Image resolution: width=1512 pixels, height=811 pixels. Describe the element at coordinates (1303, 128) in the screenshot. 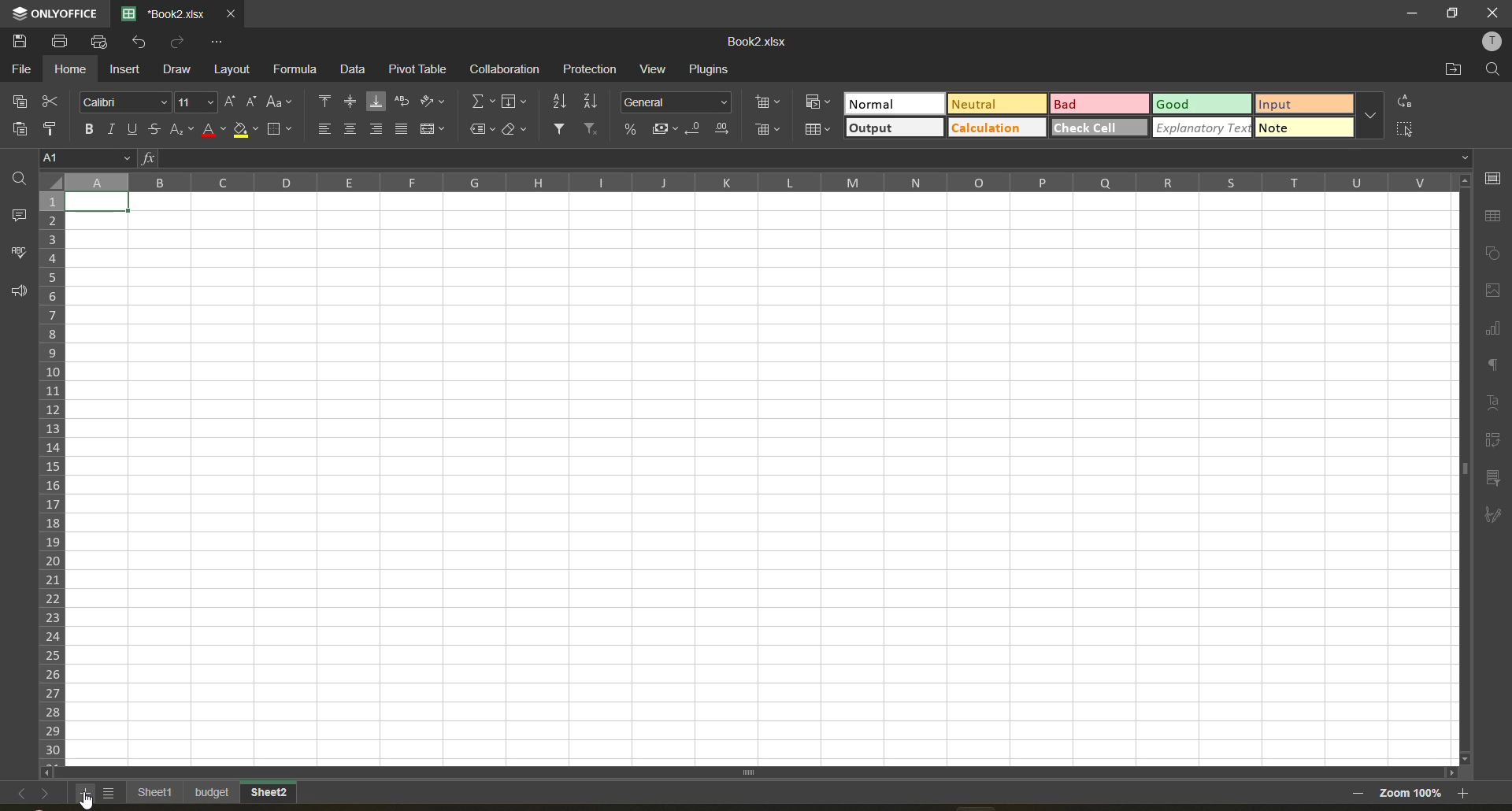

I see `note` at that location.